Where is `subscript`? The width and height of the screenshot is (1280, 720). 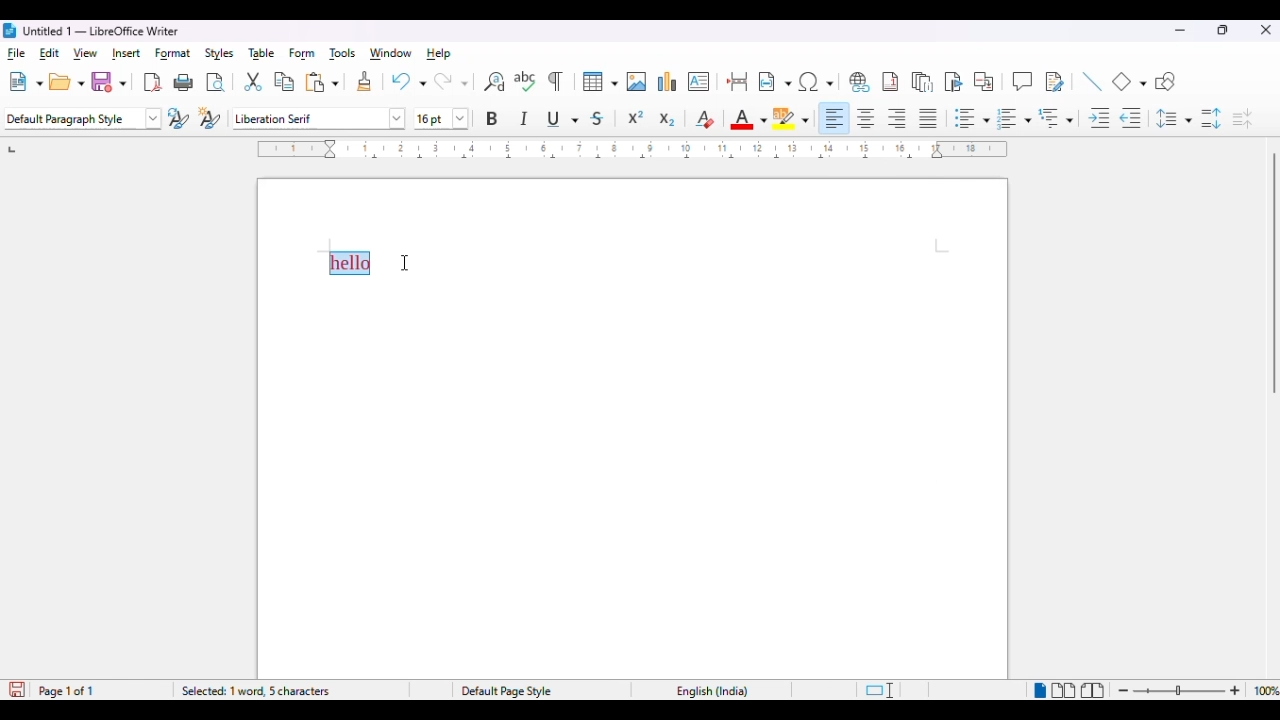 subscript is located at coordinates (666, 120).